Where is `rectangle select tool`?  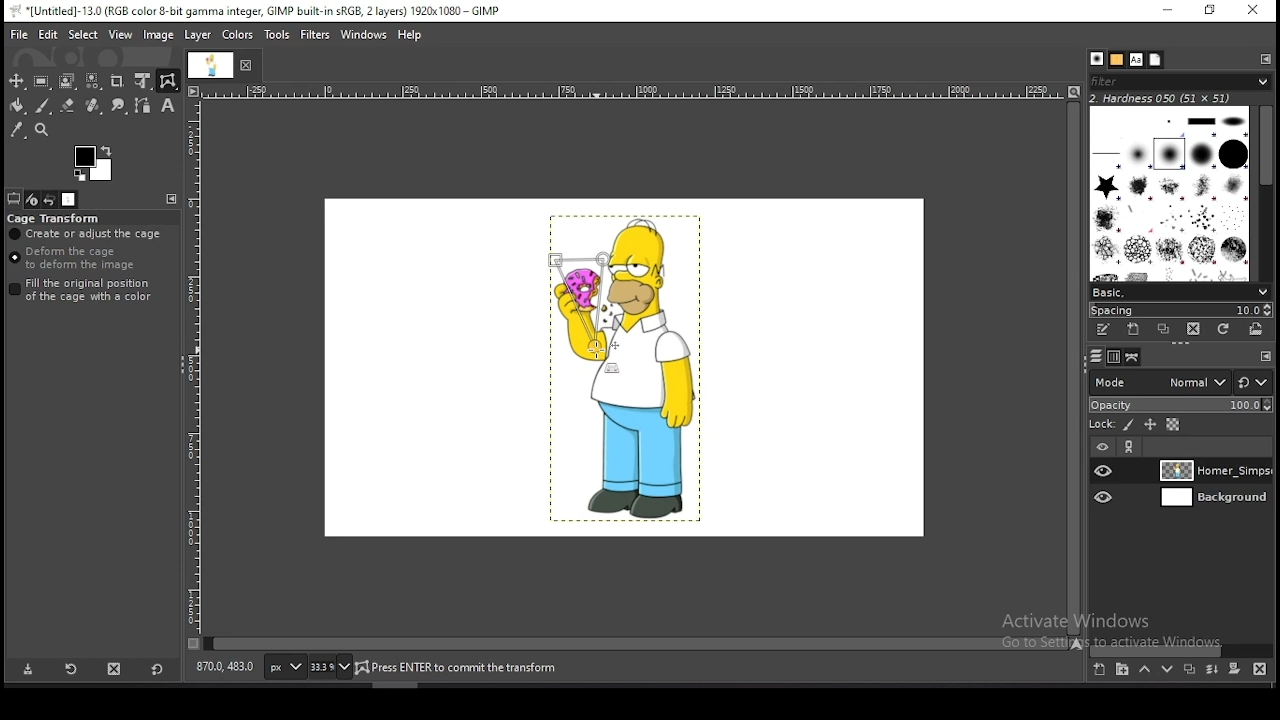
rectangle select tool is located at coordinates (42, 81).